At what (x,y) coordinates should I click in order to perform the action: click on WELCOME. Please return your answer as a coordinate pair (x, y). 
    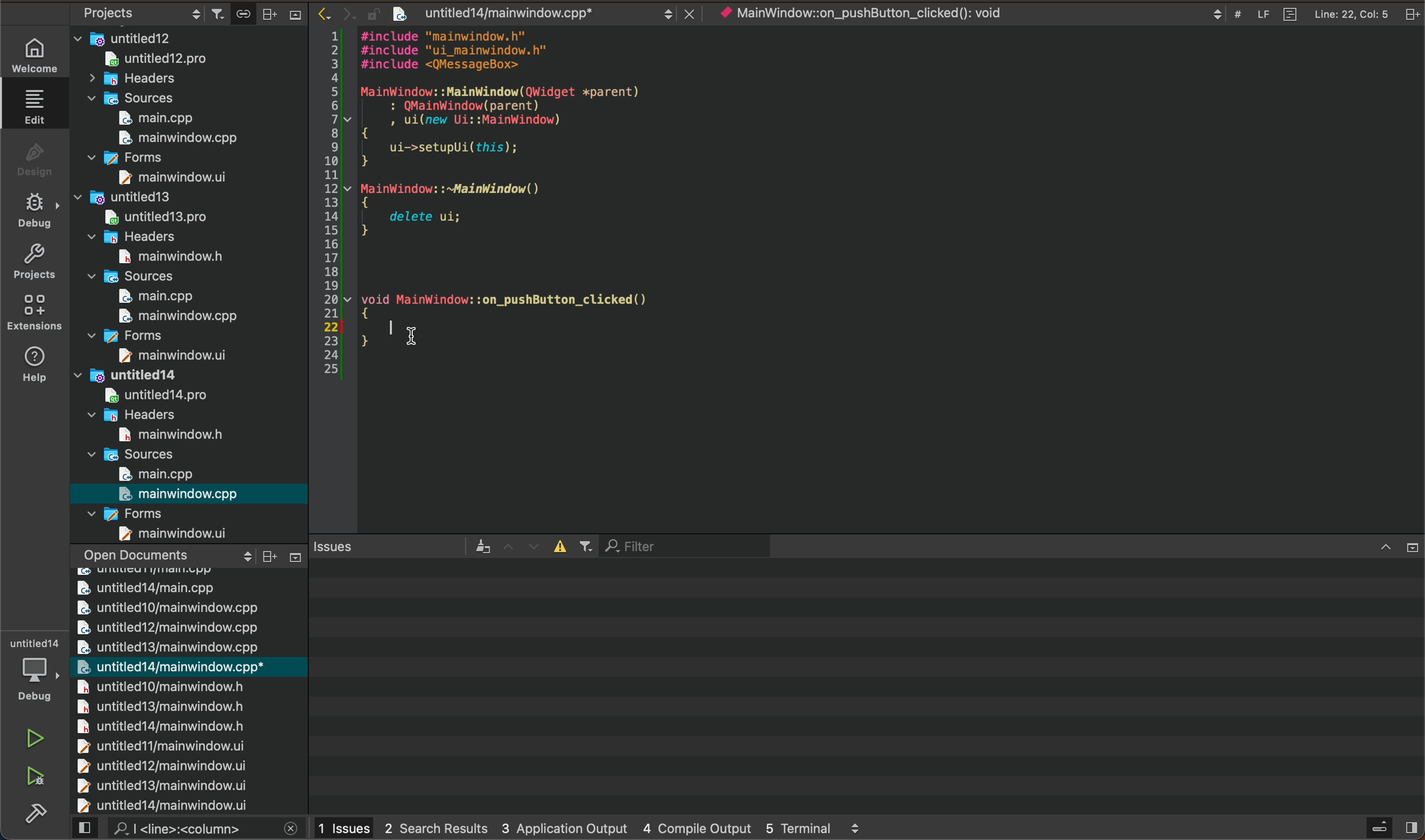
    Looking at the image, I should click on (36, 58).